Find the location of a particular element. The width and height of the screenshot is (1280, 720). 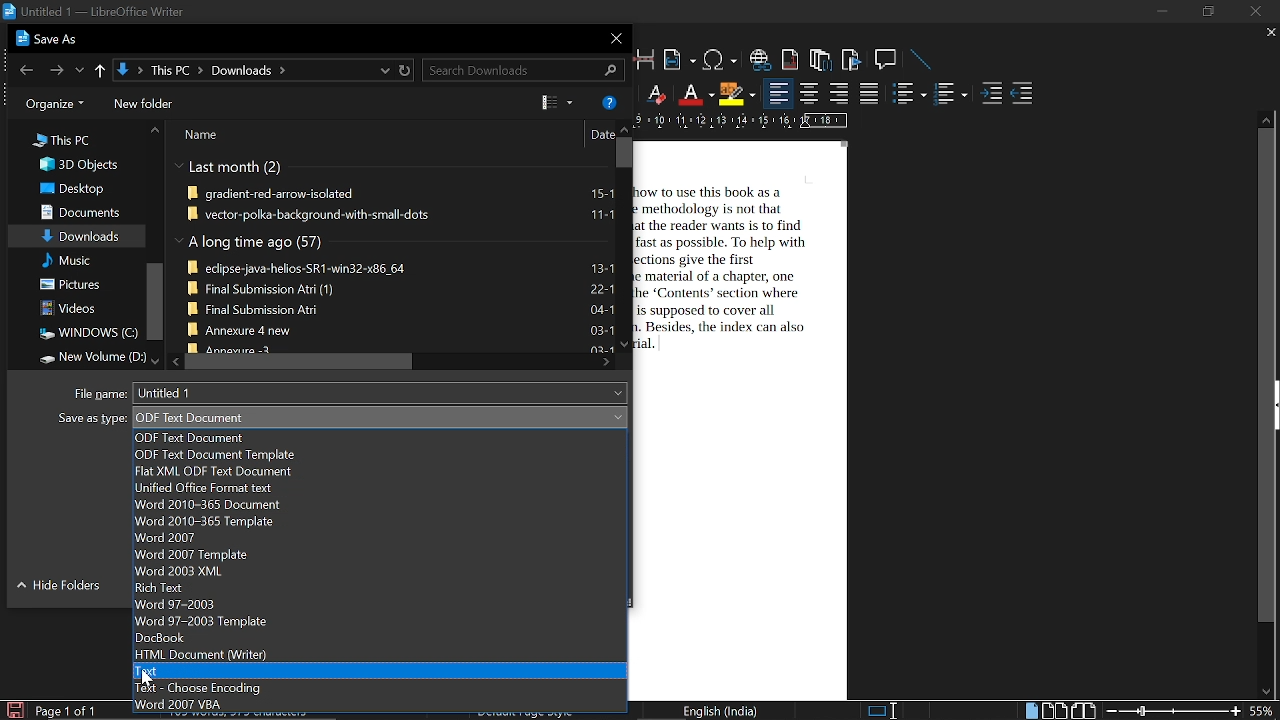

move up is located at coordinates (622, 129).